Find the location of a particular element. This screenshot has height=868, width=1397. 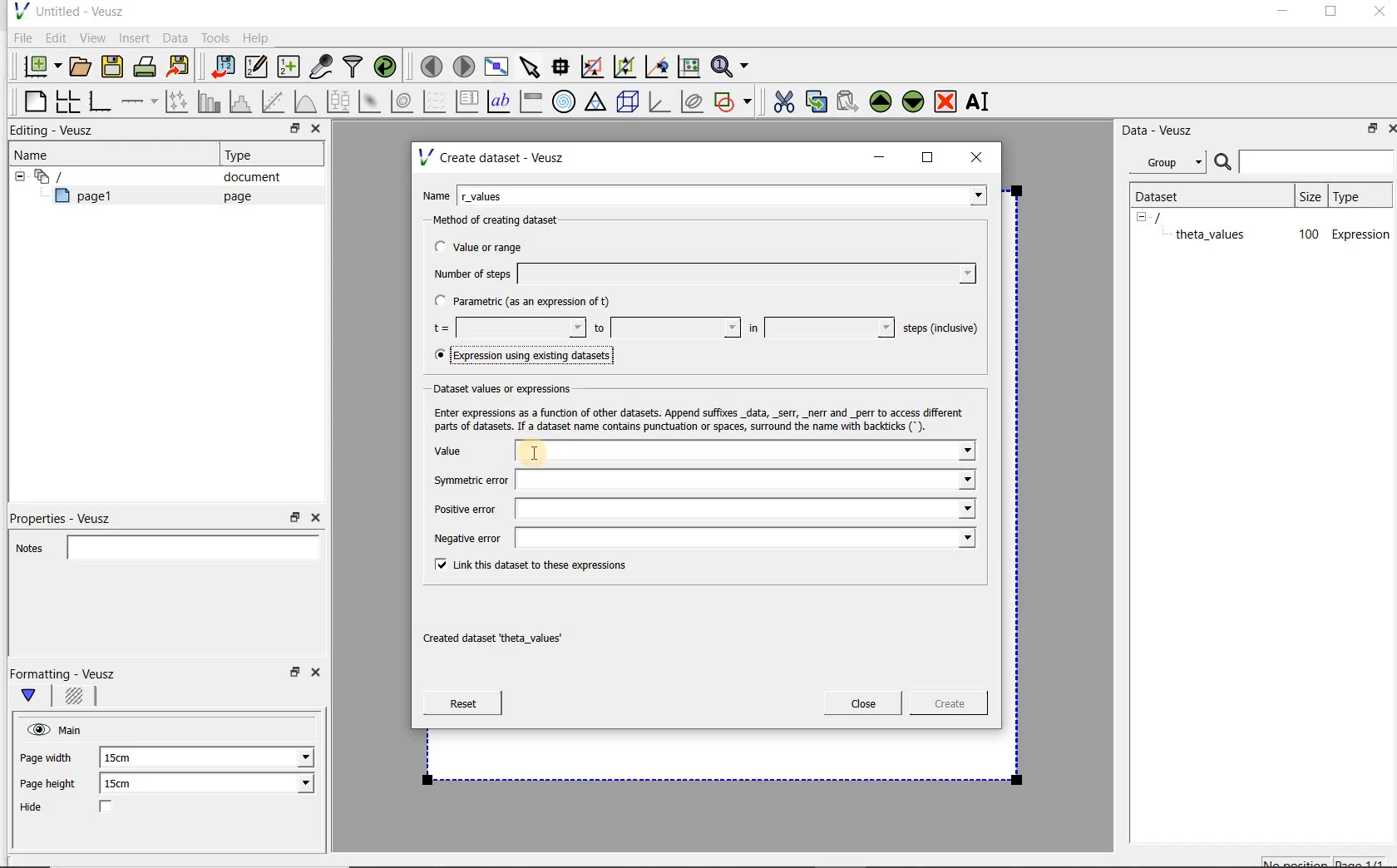

Name is located at coordinates (436, 194).